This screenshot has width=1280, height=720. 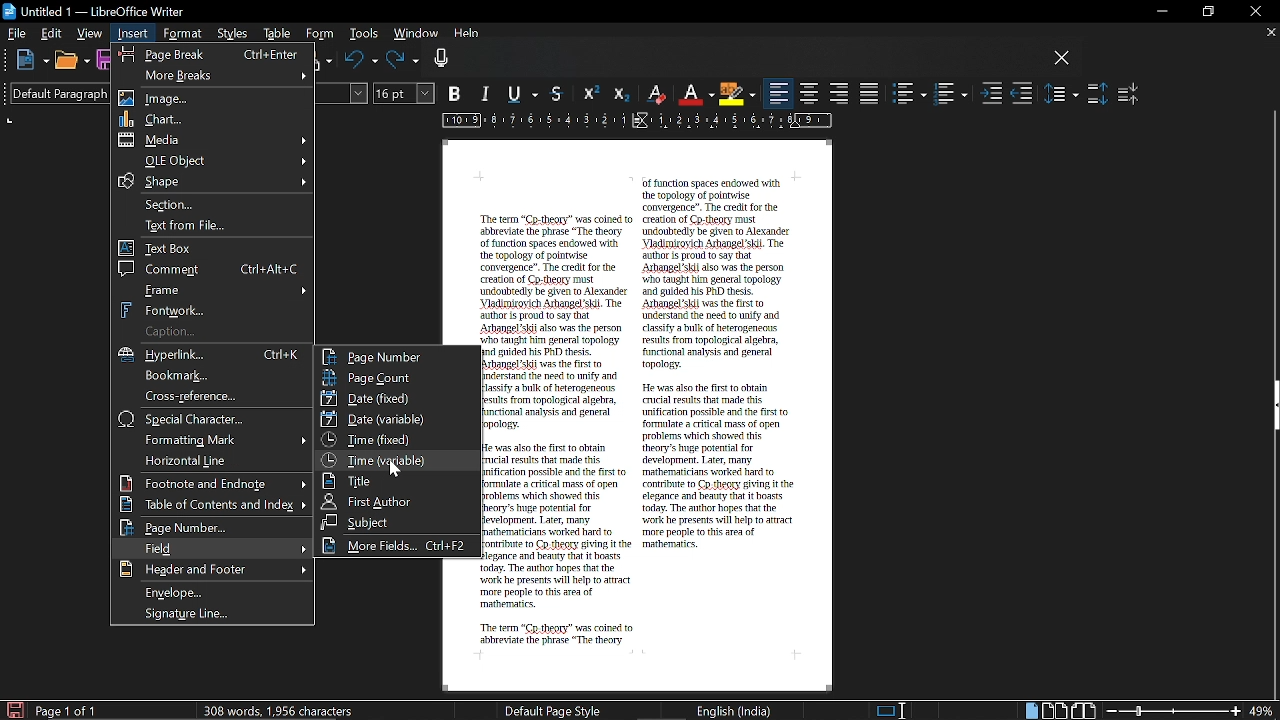 What do you see at coordinates (1062, 93) in the screenshot?
I see `Set line spacing` at bounding box center [1062, 93].